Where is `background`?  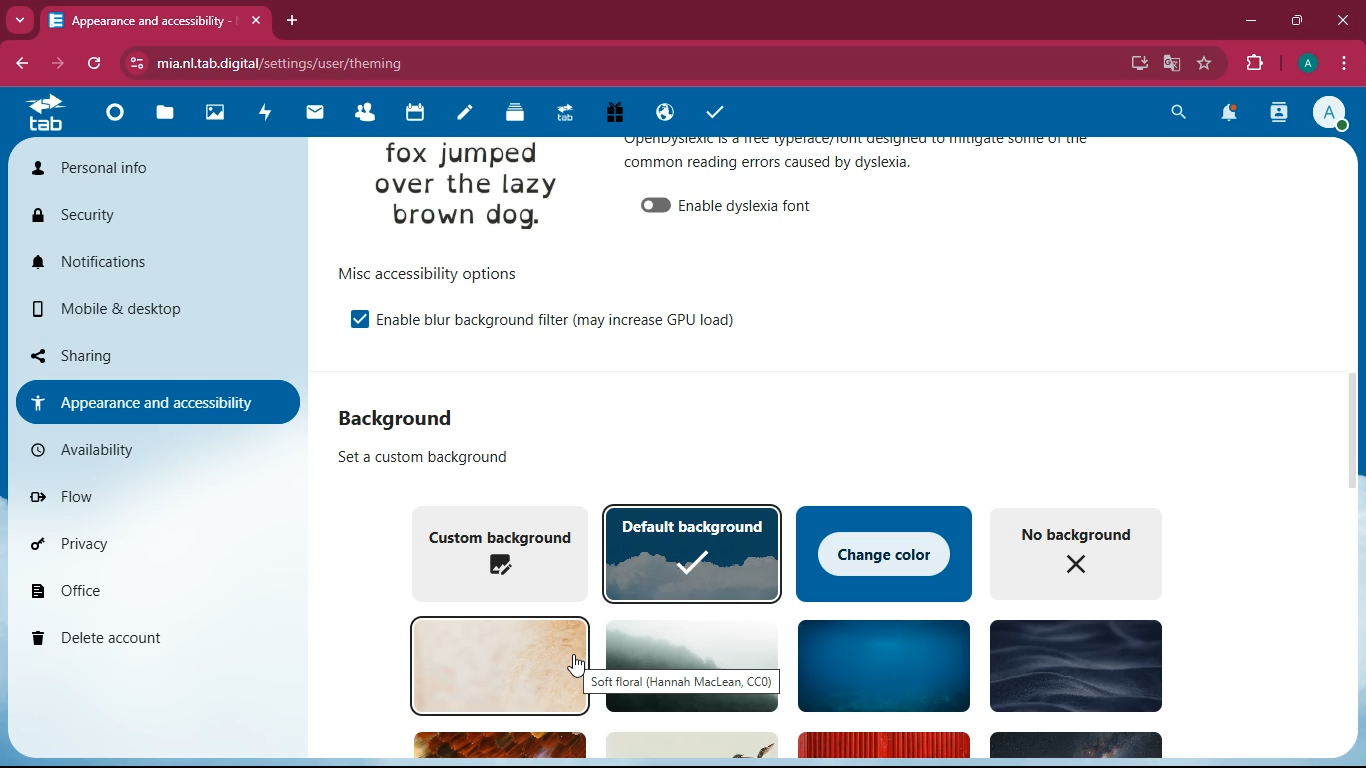 background is located at coordinates (879, 665).